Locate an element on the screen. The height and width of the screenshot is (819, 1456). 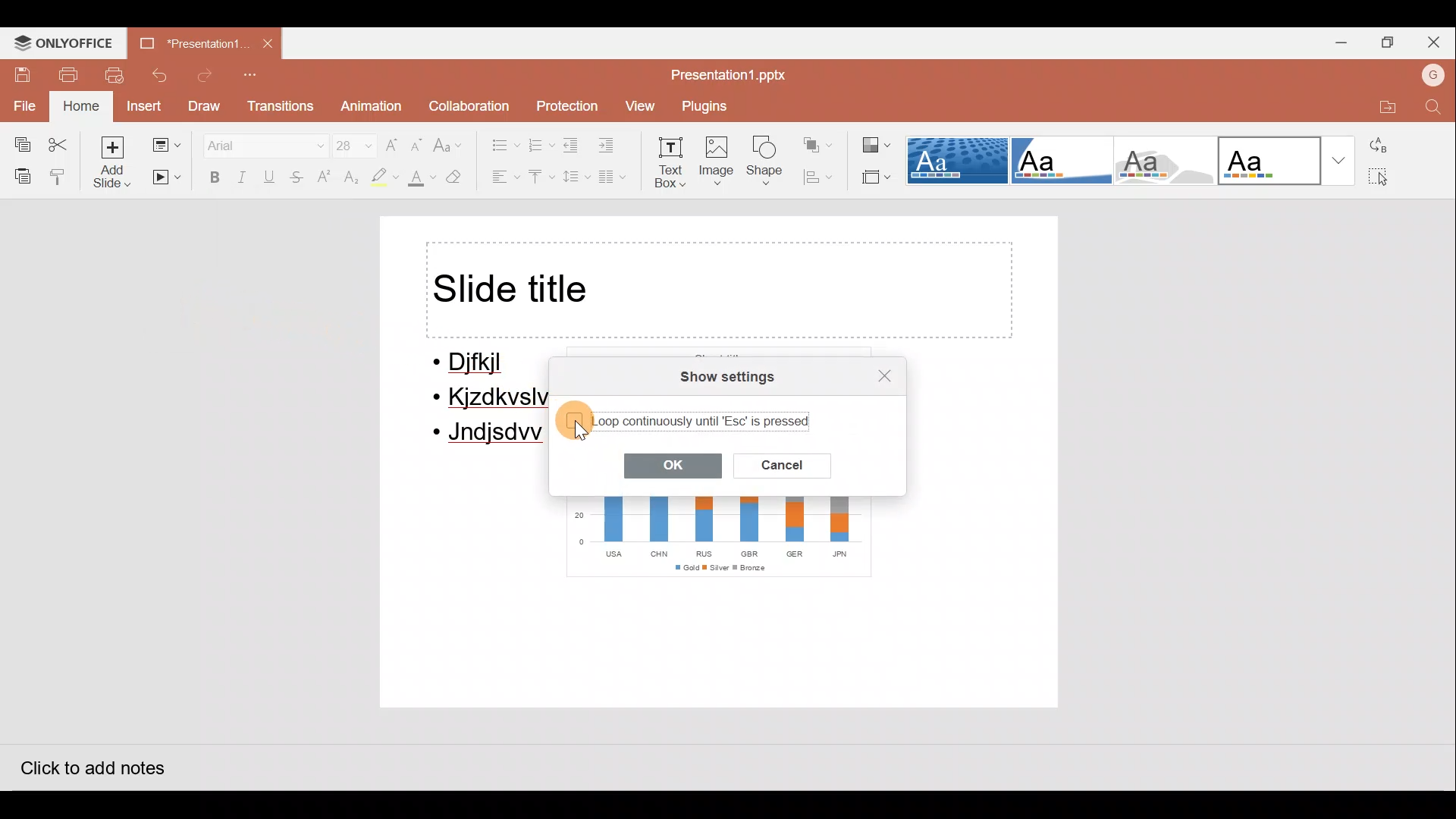
Chart is located at coordinates (716, 538).